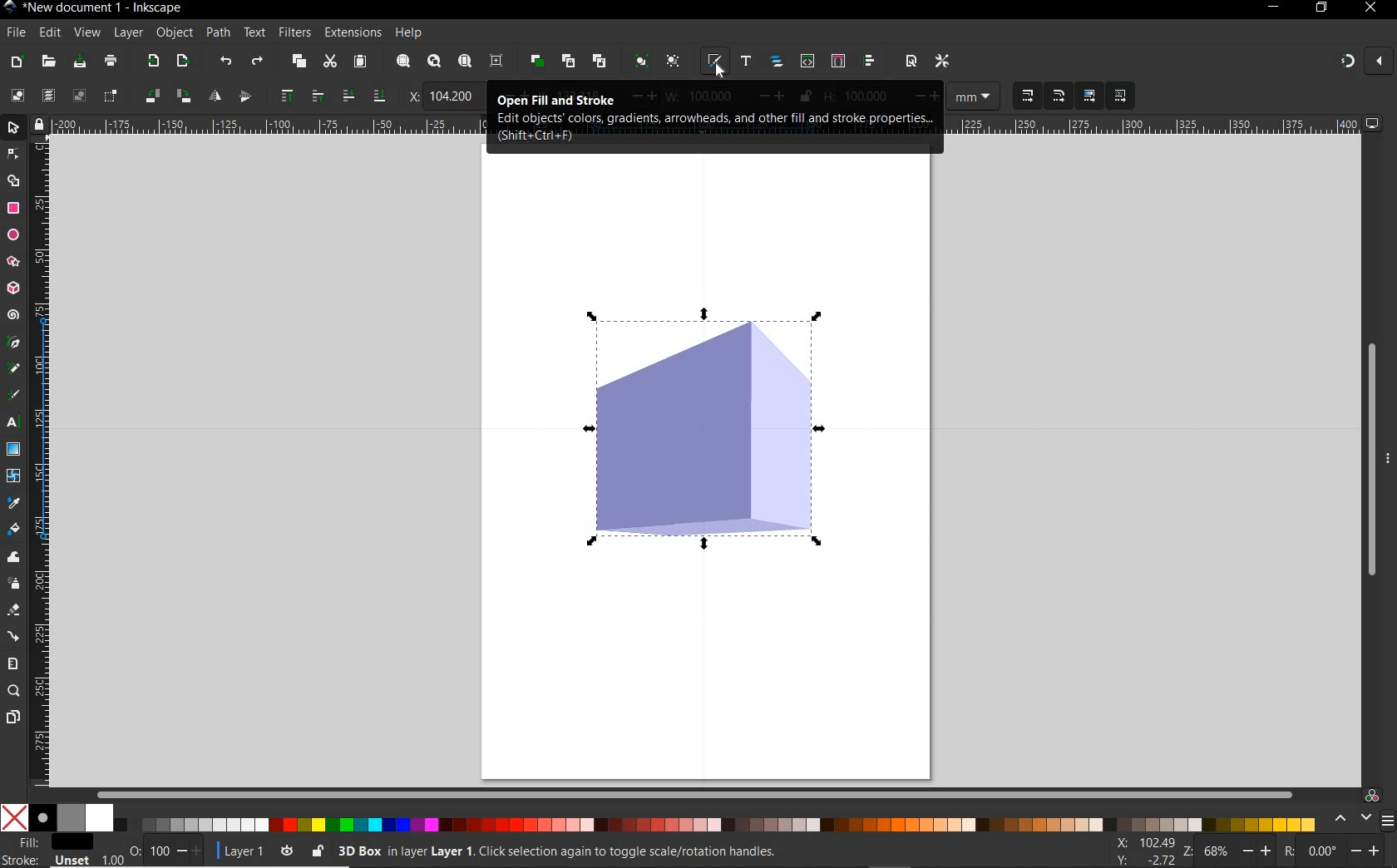 Image resolution: width=1397 pixels, height=868 pixels. I want to click on SCROLLBAR, so click(1371, 461).